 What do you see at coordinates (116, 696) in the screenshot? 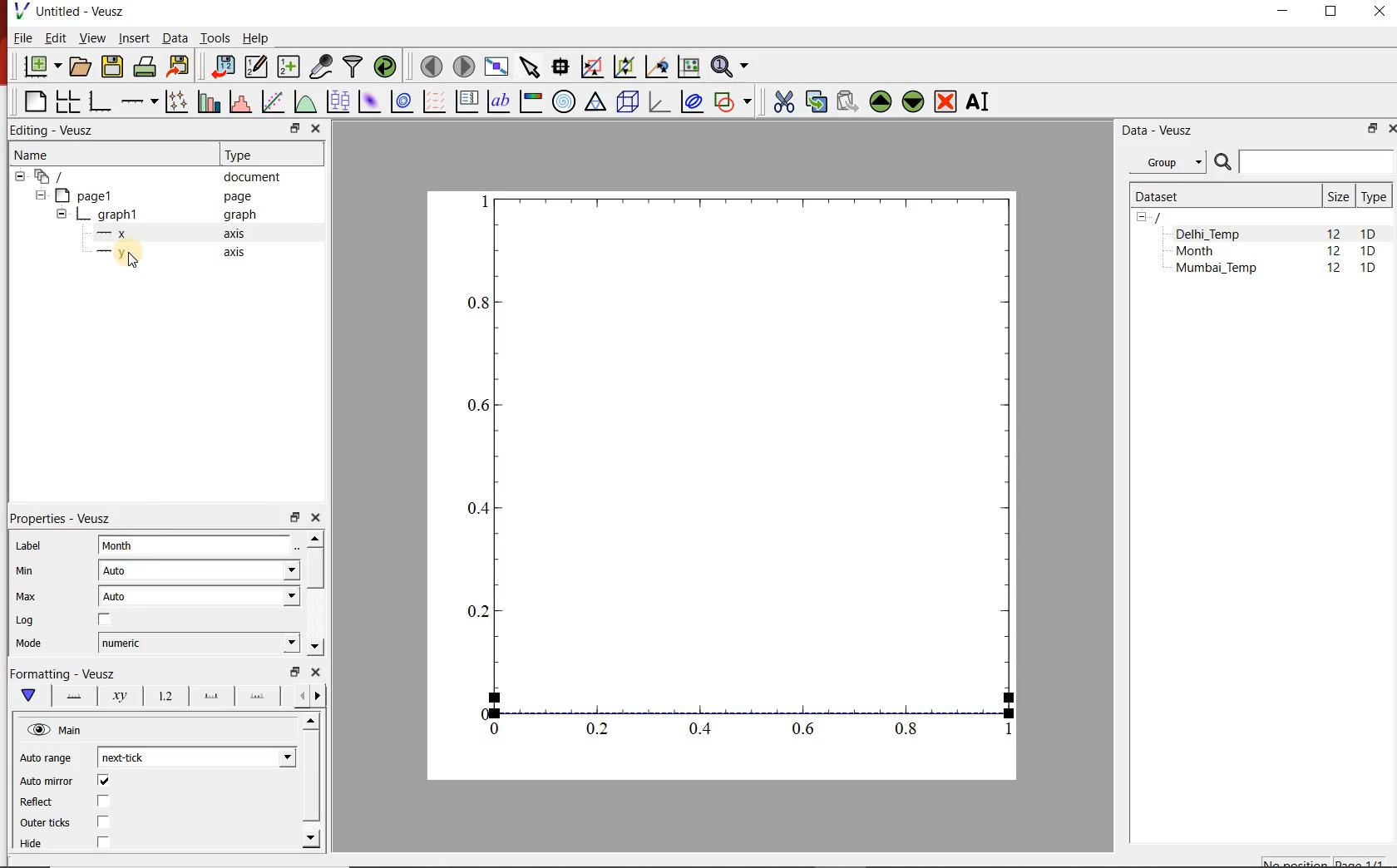
I see `Axis label` at bounding box center [116, 696].